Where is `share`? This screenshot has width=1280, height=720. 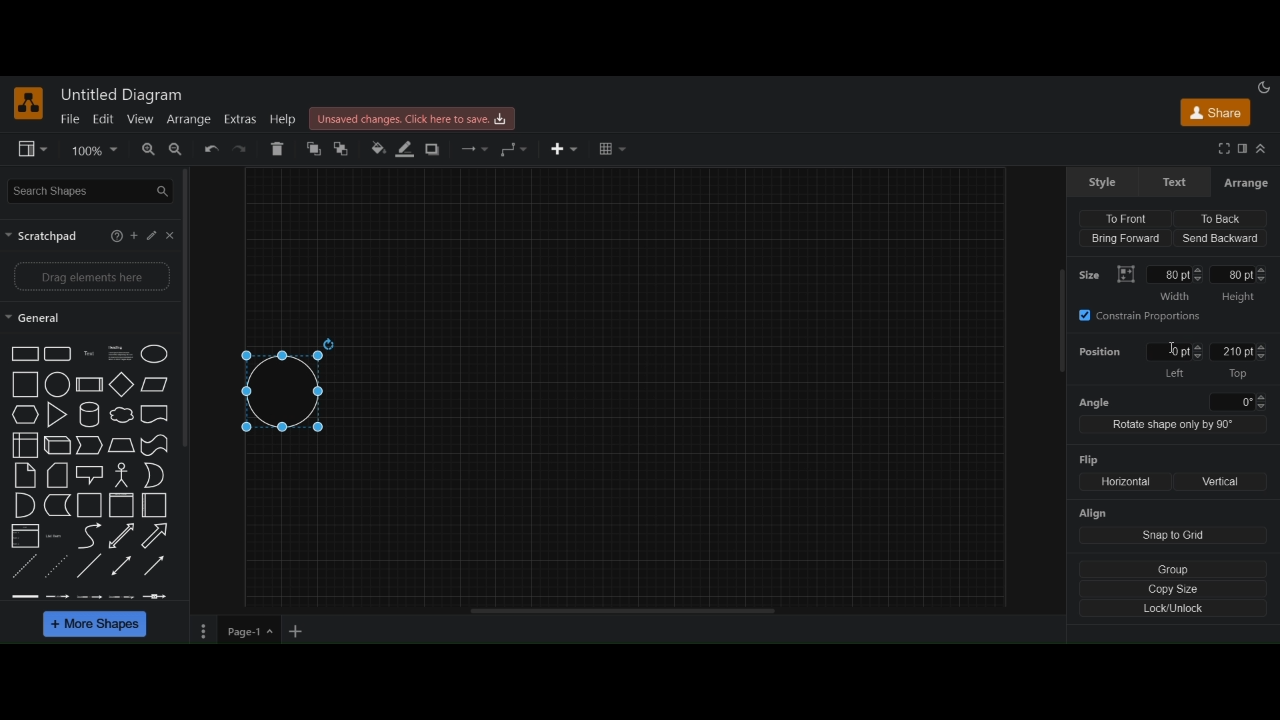 share is located at coordinates (1213, 115).